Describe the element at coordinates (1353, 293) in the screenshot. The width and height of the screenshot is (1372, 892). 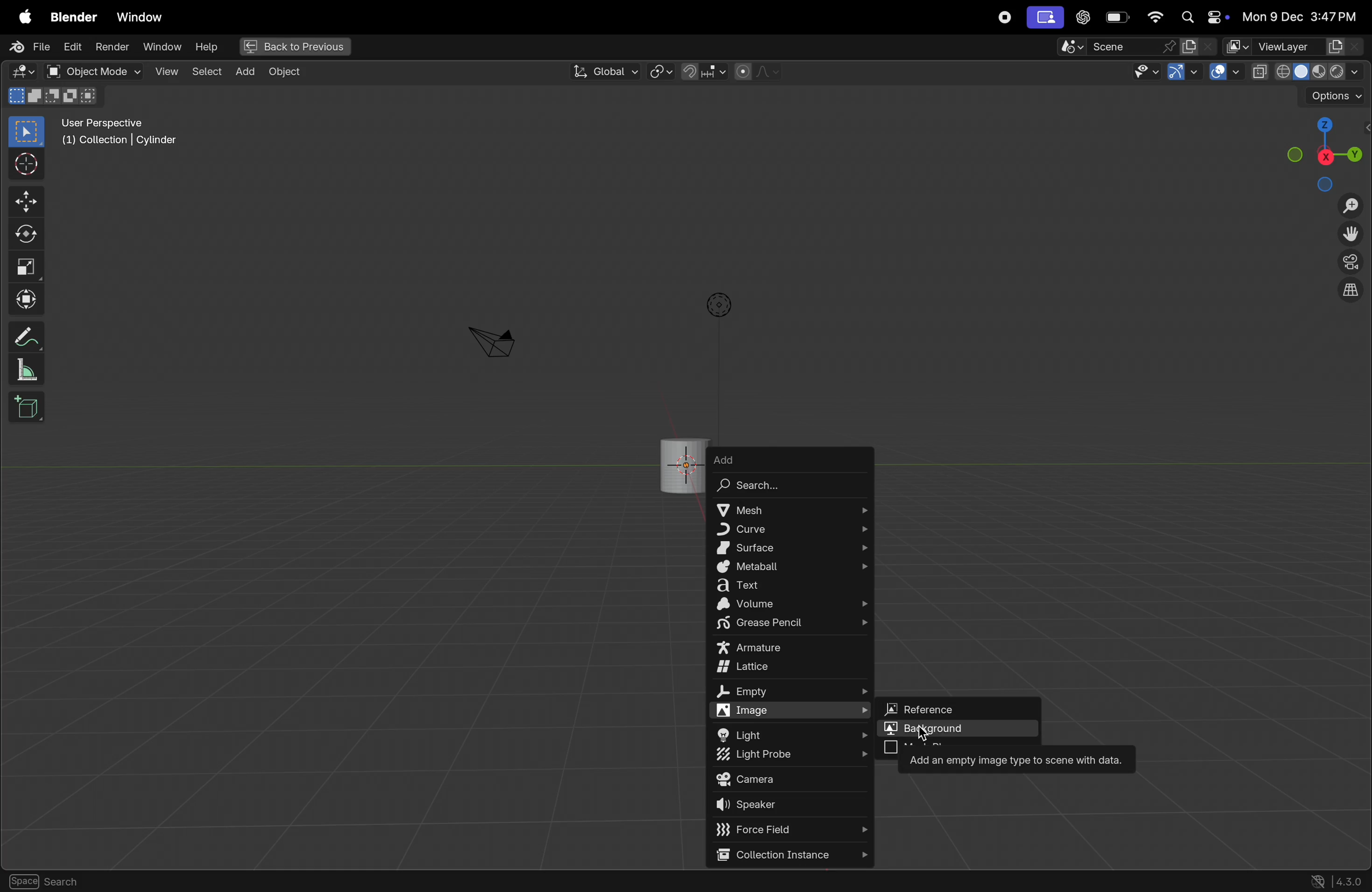
I see `orthographic view` at that location.